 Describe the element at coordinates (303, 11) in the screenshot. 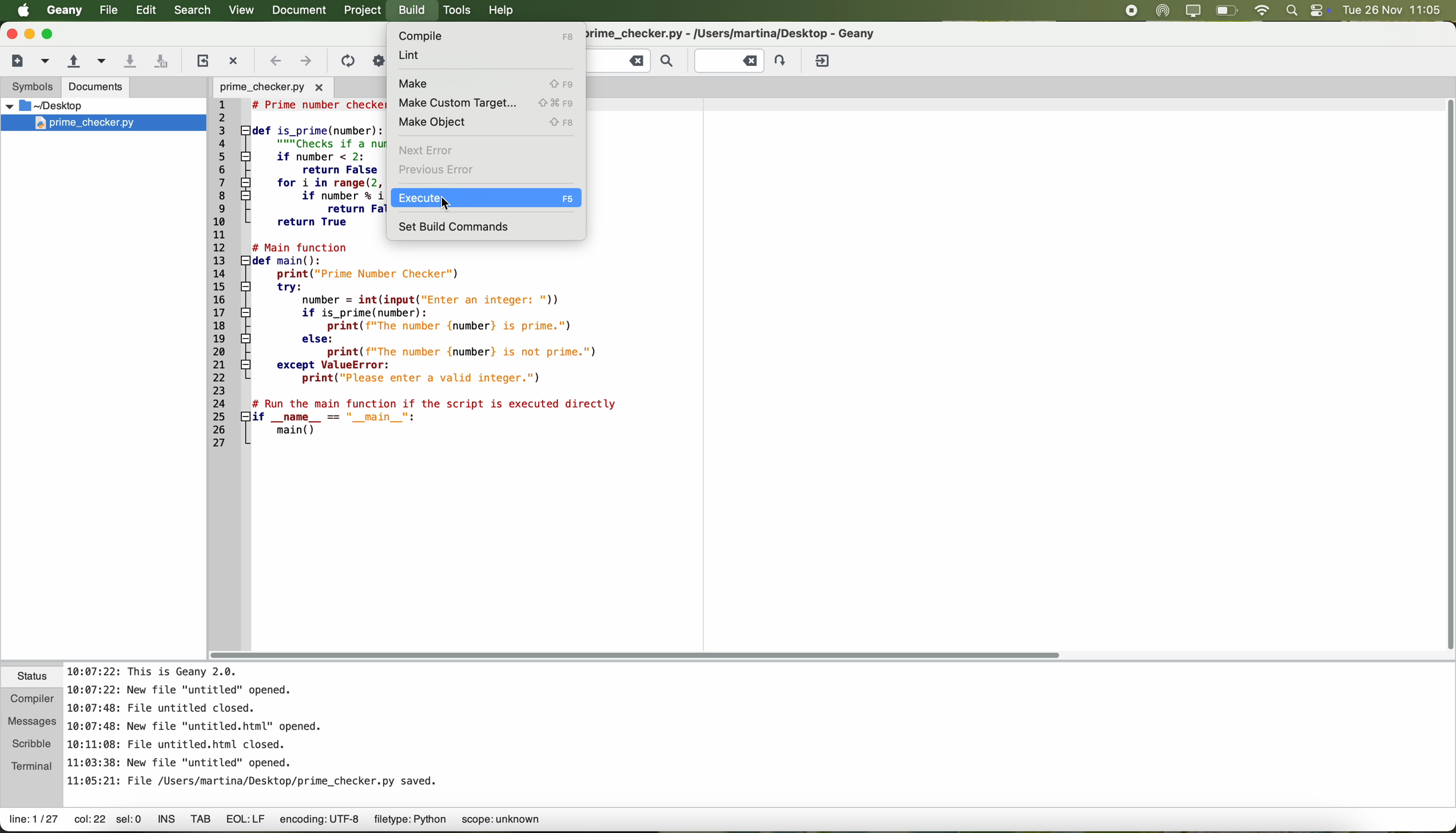

I see `document` at that location.